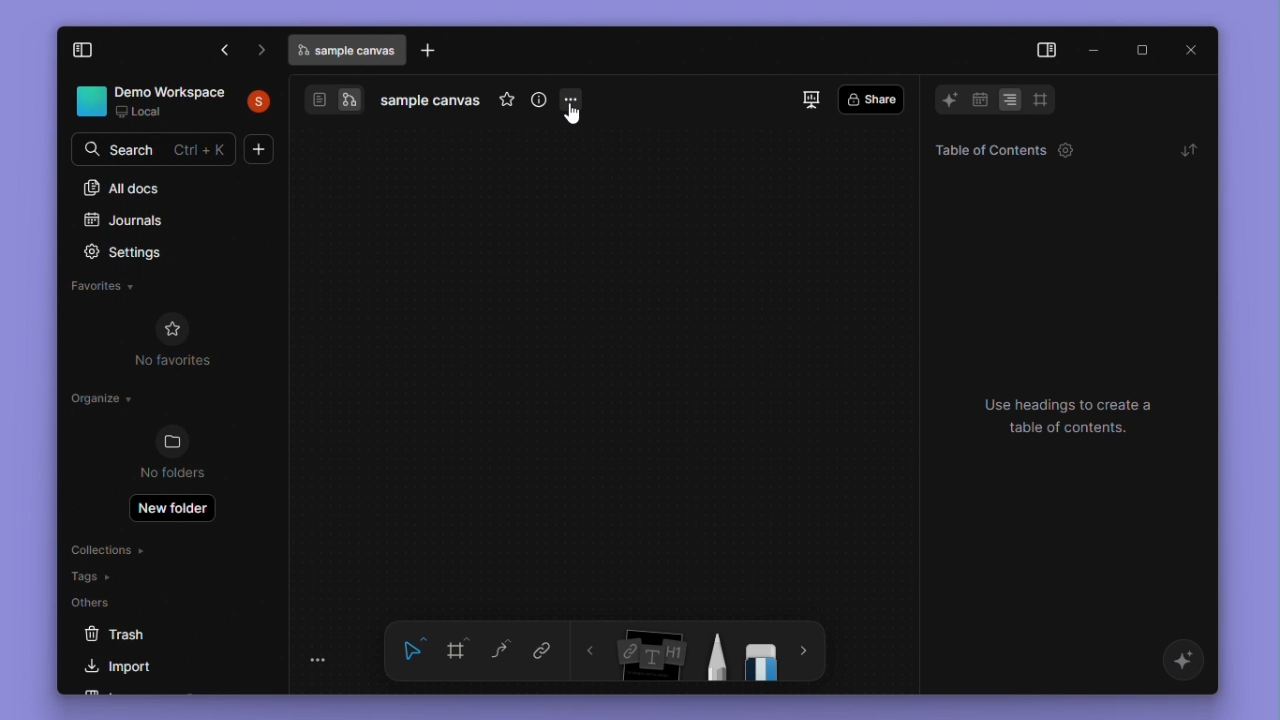 The width and height of the screenshot is (1280, 720). Describe the element at coordinates (156, 147) in the screenshot. I see `Search` at that location.